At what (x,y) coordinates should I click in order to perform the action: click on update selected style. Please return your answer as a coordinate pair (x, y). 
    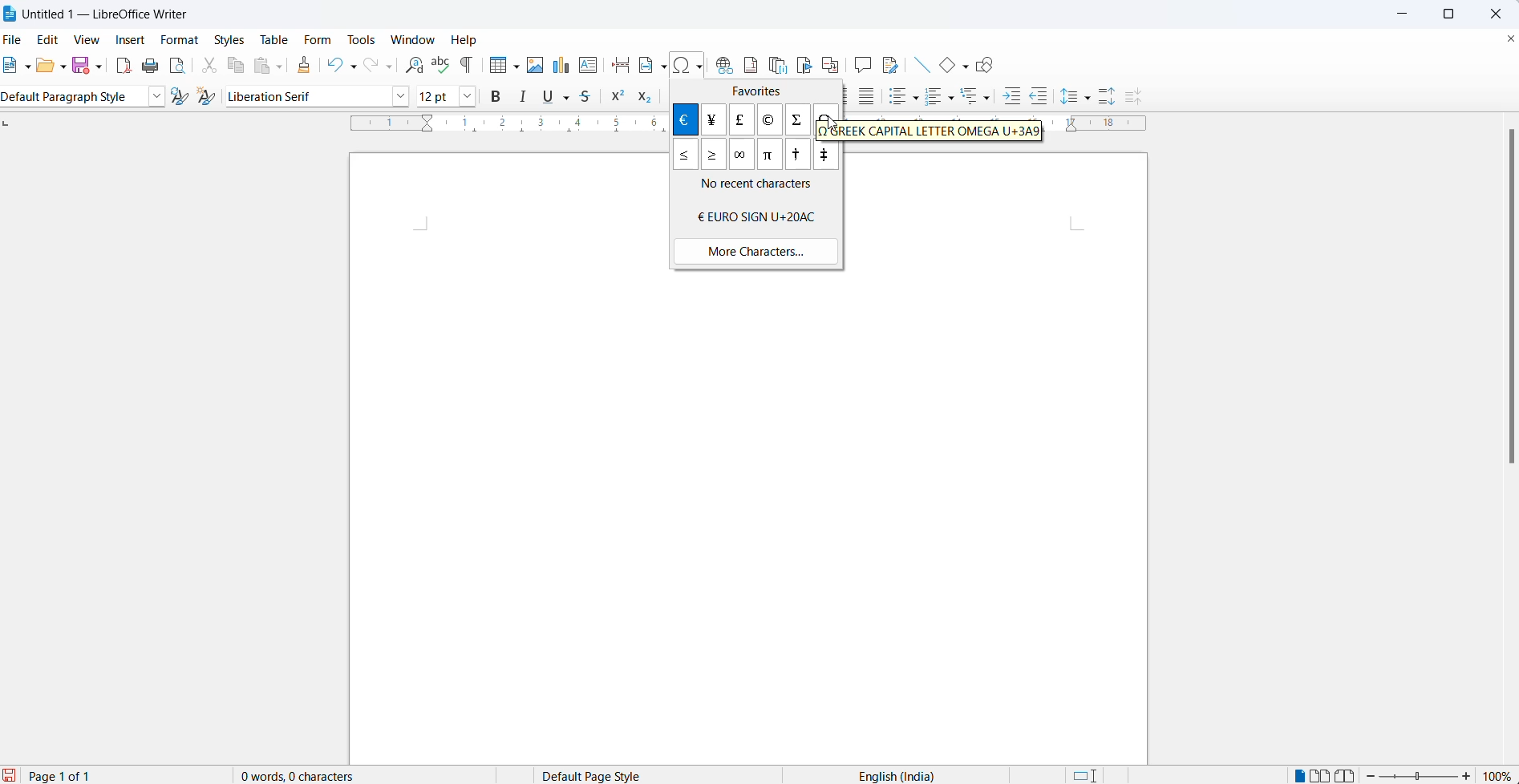
    Looking at the image, I should click on (179, 97).